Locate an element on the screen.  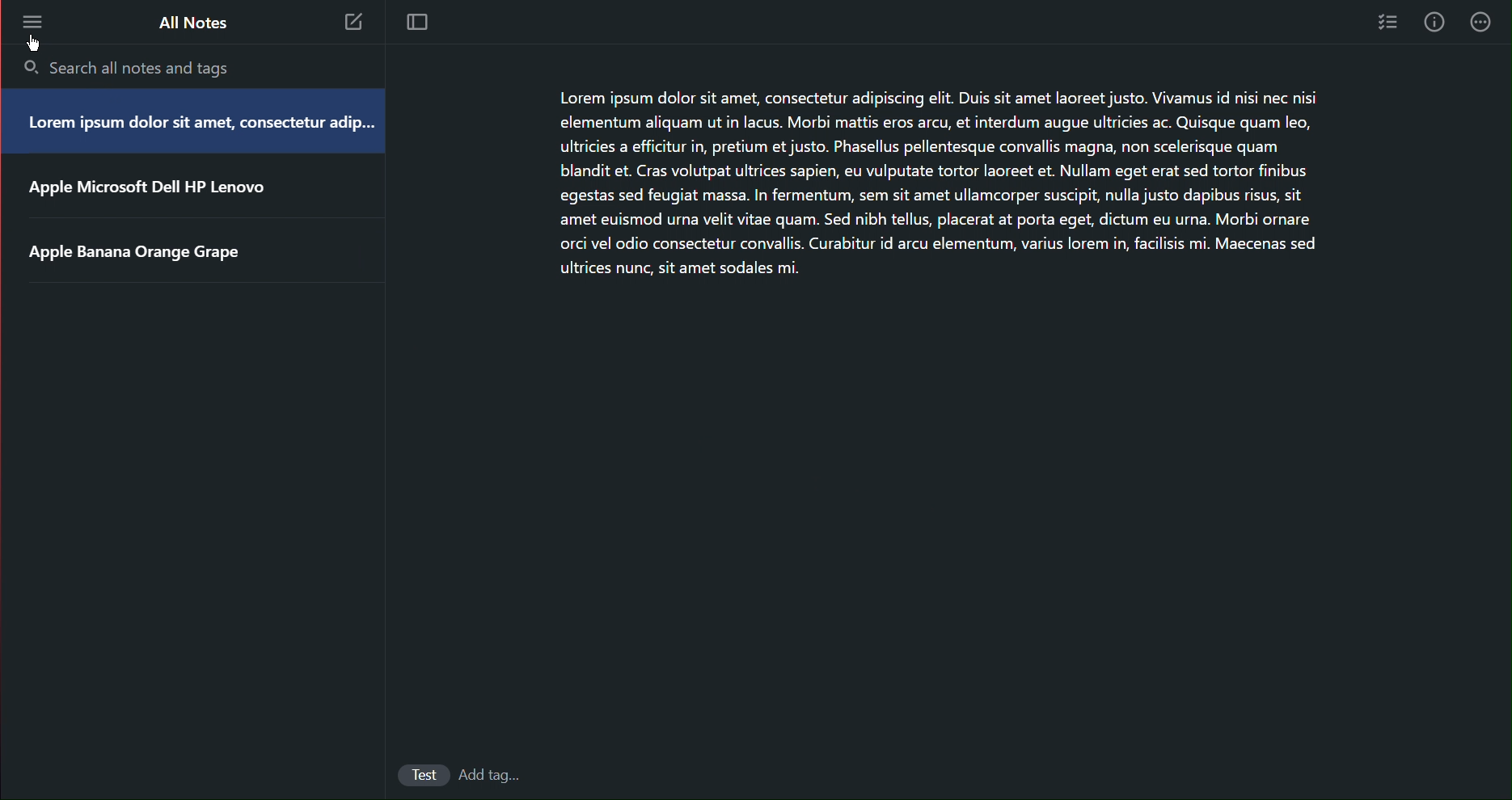
More is located at coordinates (32, 24).